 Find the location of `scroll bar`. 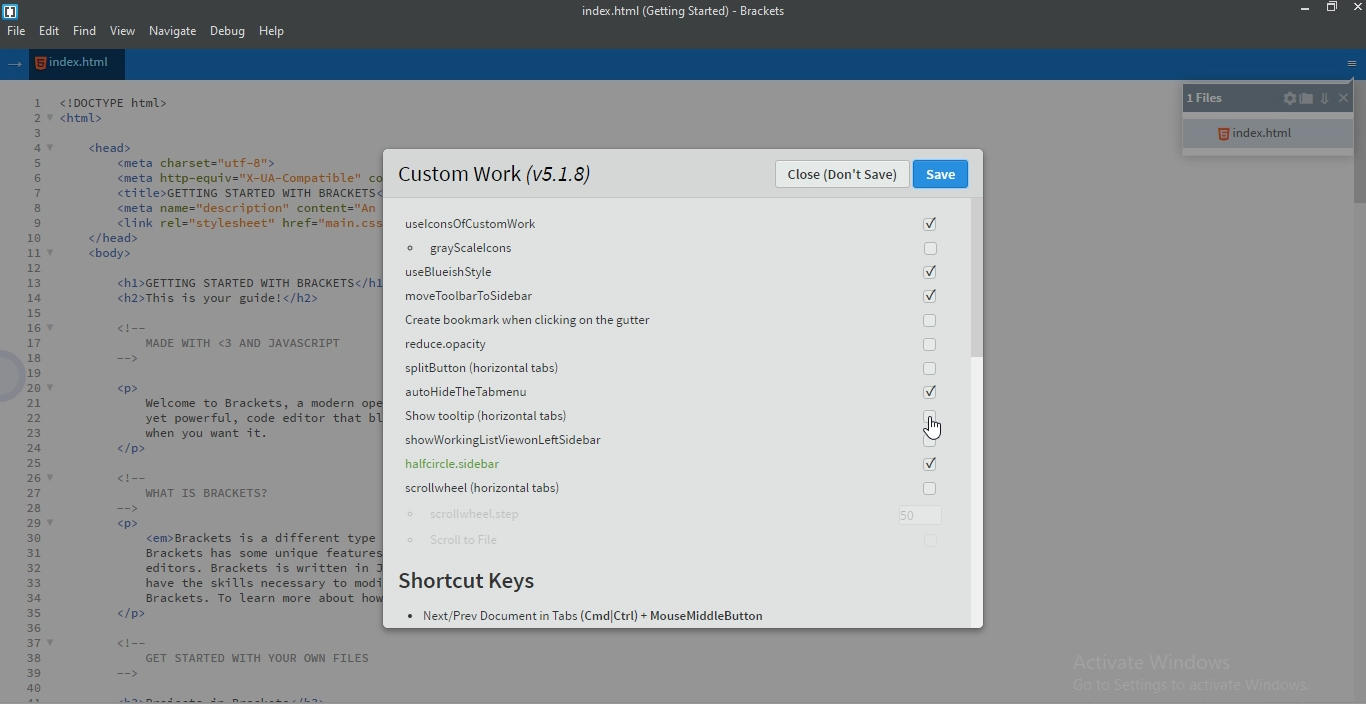

scroll bar is located at coordinates (1357, 147).